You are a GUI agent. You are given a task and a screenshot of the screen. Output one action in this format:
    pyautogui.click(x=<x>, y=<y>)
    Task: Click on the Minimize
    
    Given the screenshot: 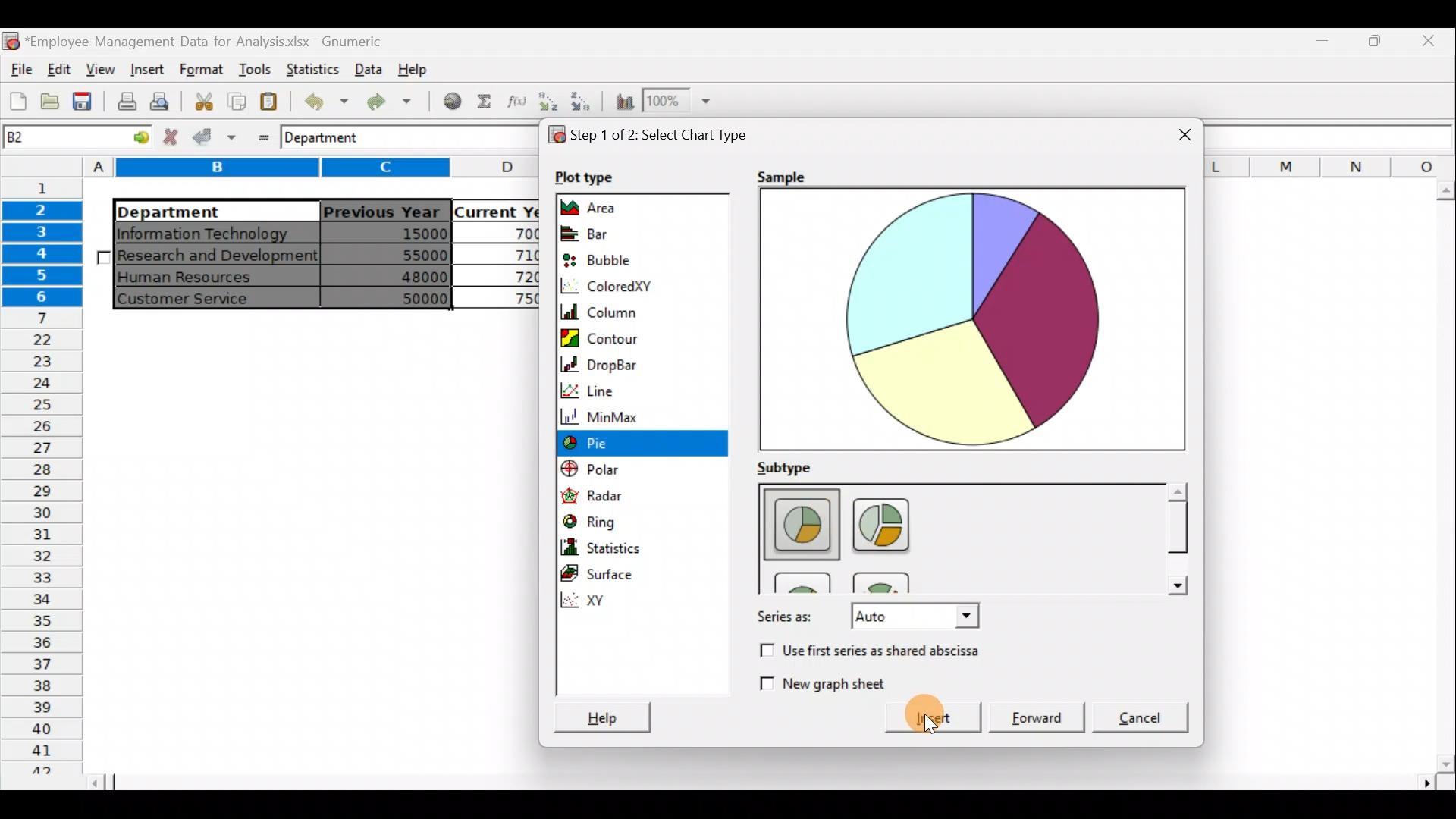 What is the action you would take?
    pyautogui.click(x=1376, y=46)
    